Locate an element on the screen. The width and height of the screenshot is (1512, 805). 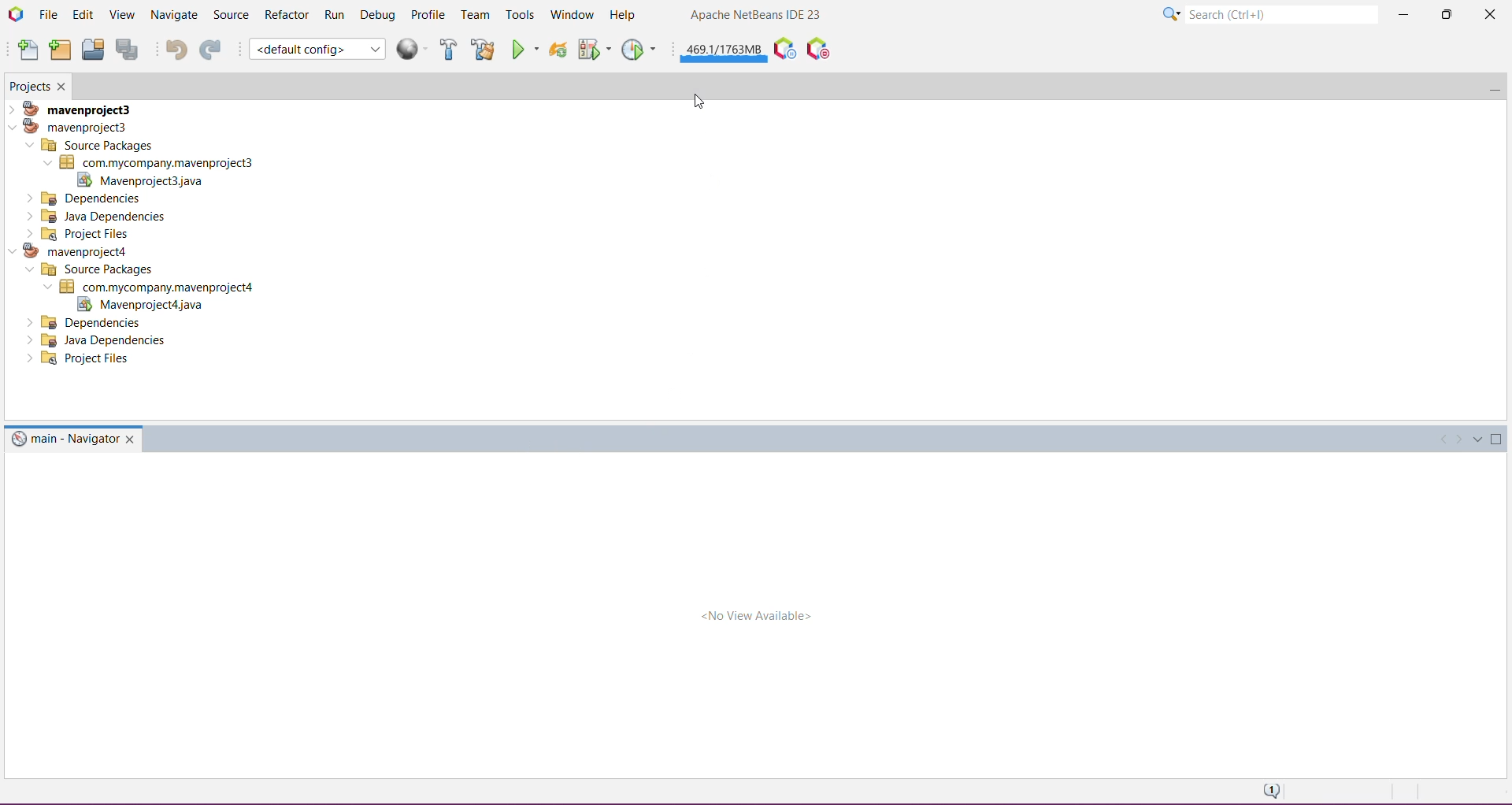
Debug is located at coordinates (378, 13).